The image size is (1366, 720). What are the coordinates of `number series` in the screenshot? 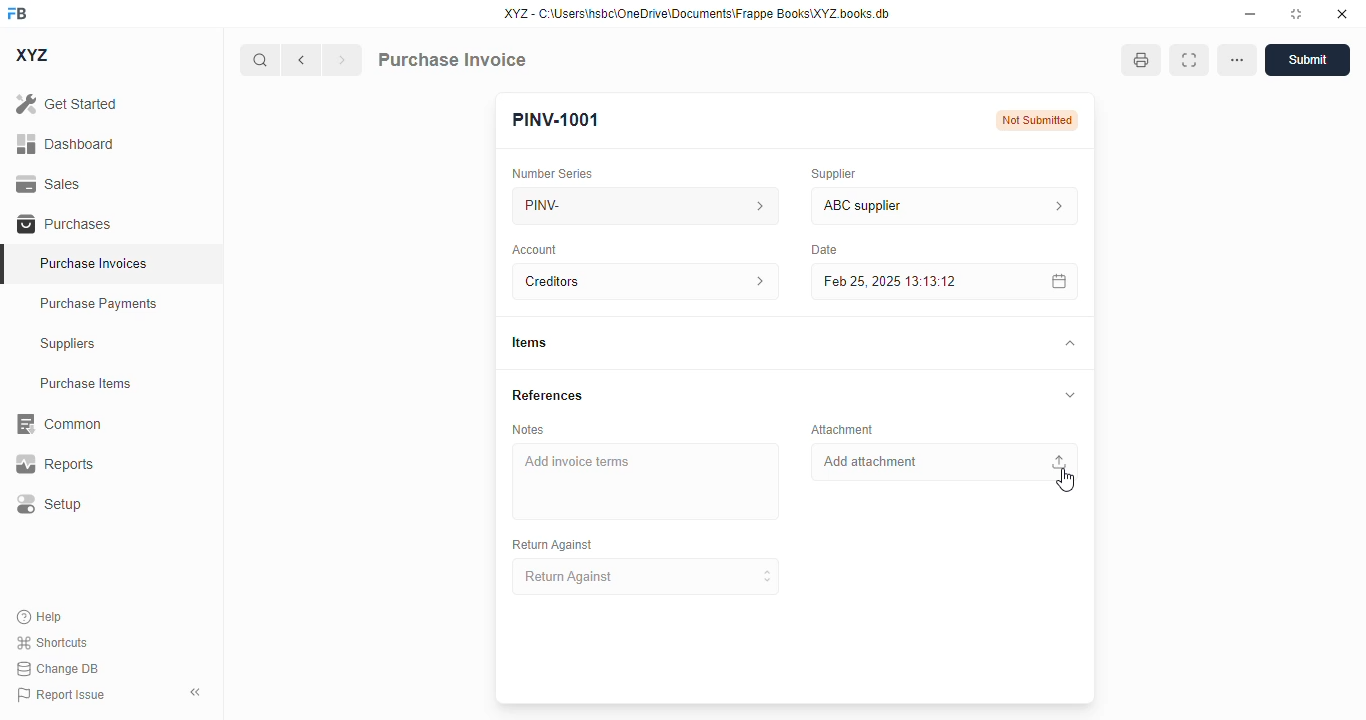 It's located at (553, 173).